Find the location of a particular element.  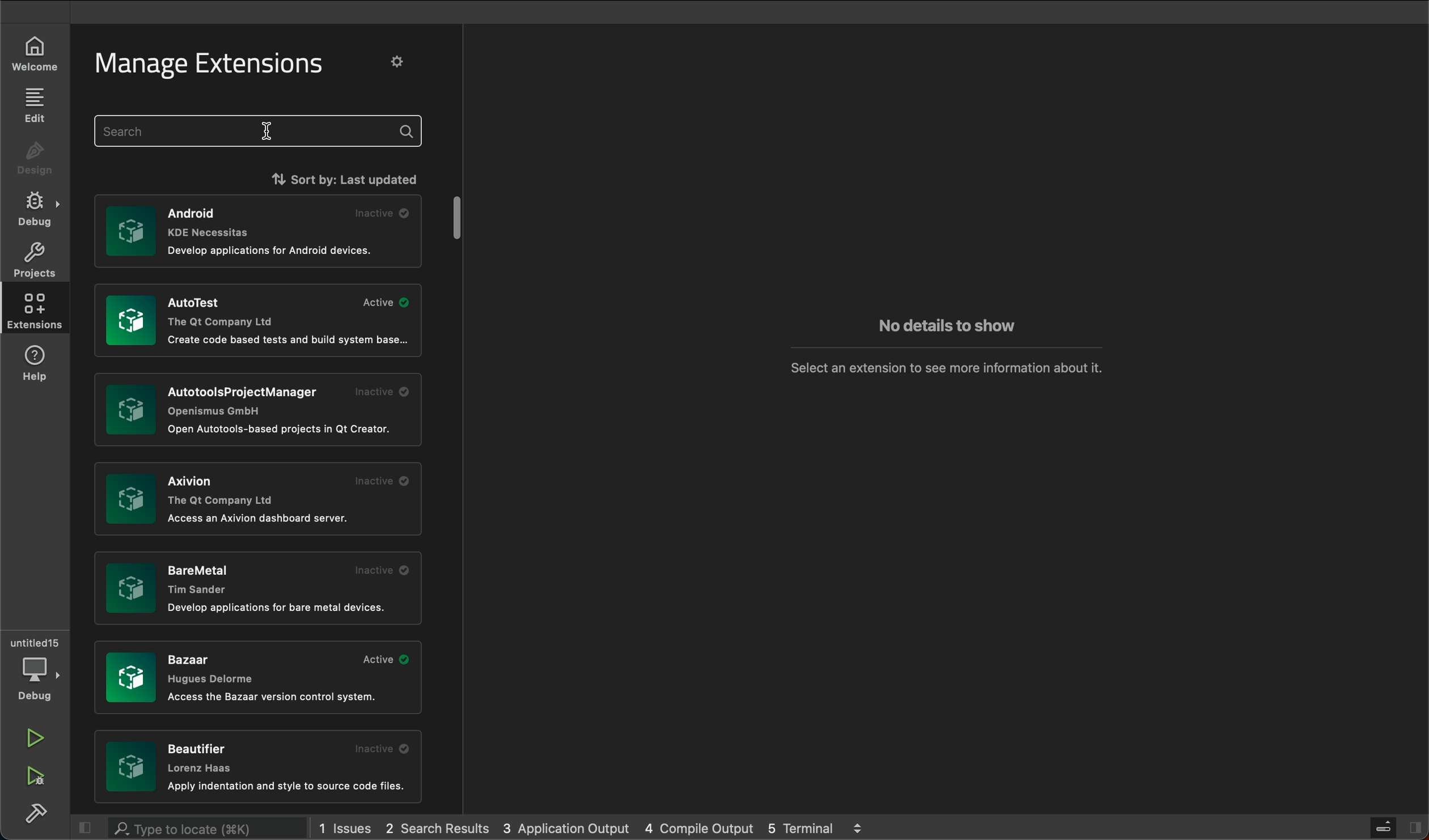

no extension message is located at coordinates (947, 366).